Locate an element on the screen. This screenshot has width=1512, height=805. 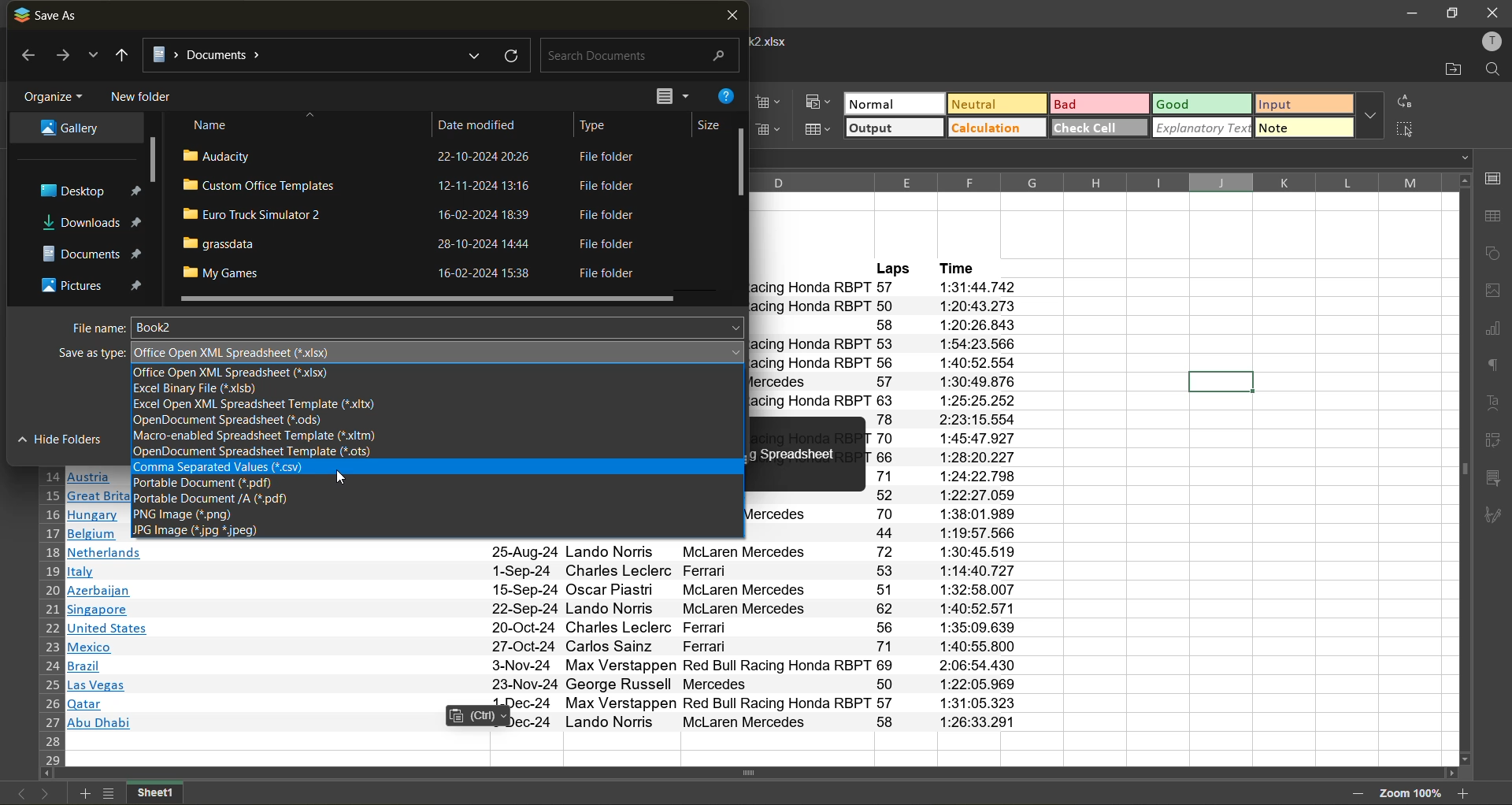
text info is located at coordinates (549, 629).